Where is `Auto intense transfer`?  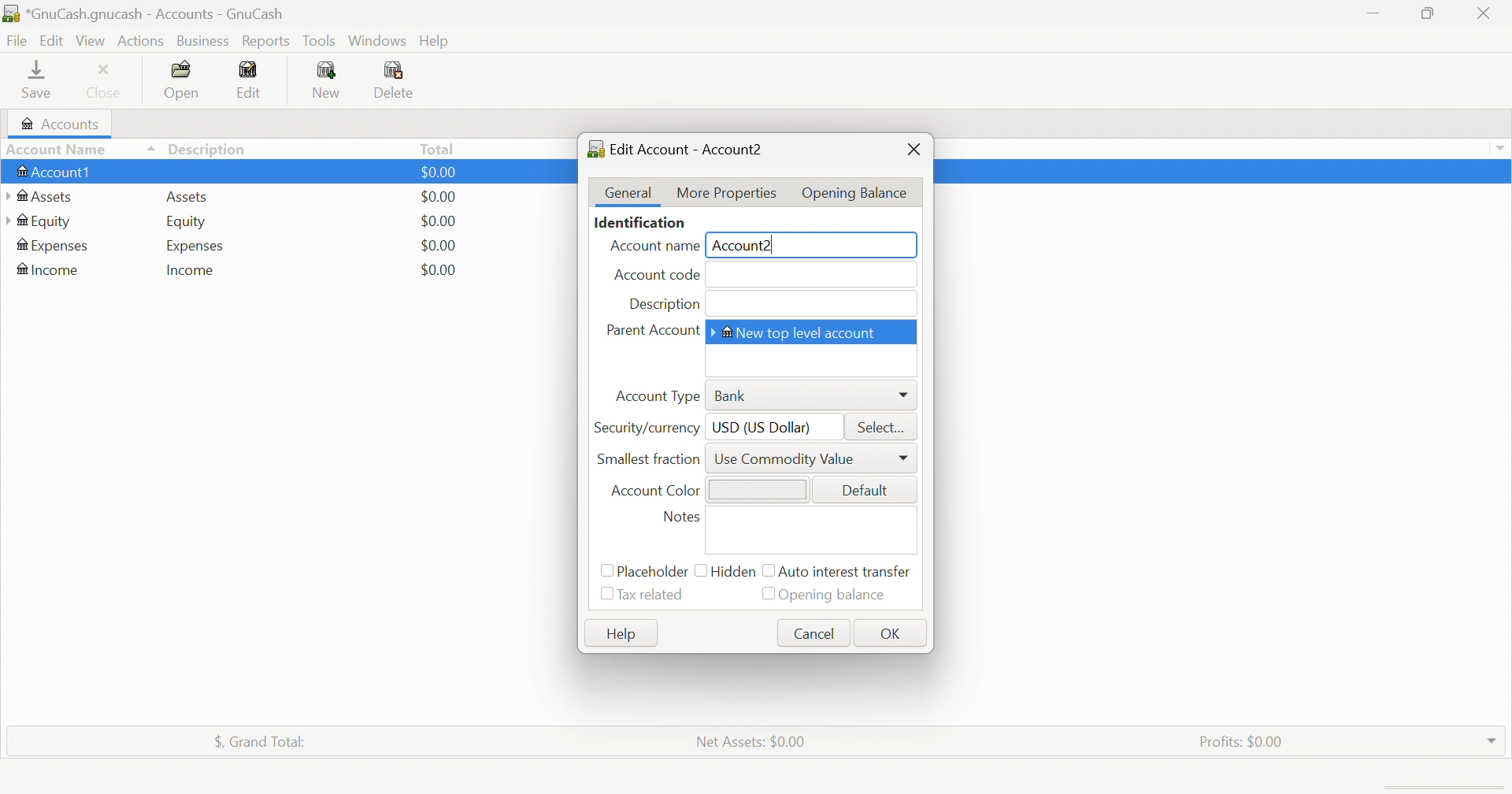
Auto intense transfer is located at coordinates (840, 570).